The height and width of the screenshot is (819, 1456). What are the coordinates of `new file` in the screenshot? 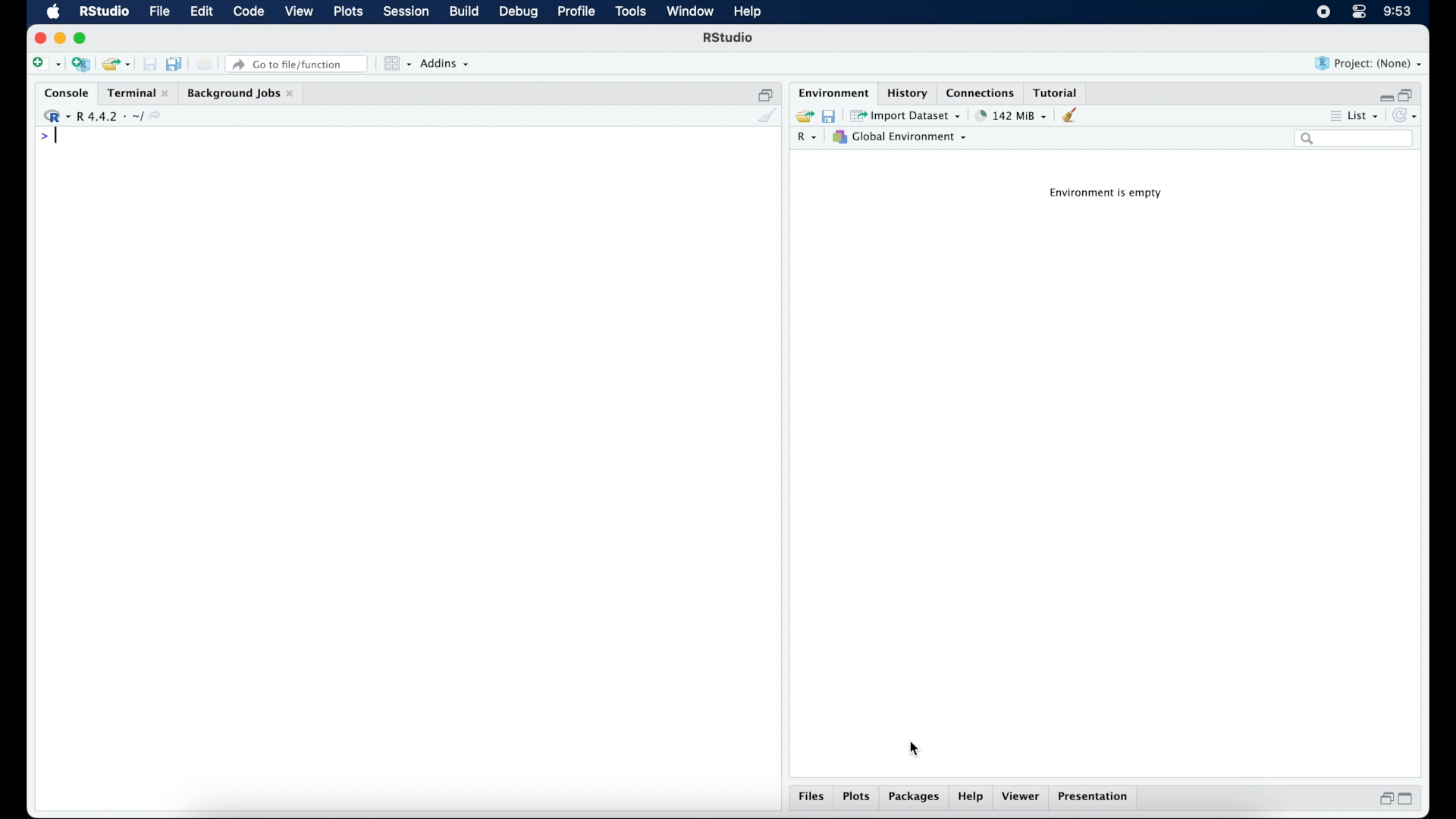 It's located at (45, 63).